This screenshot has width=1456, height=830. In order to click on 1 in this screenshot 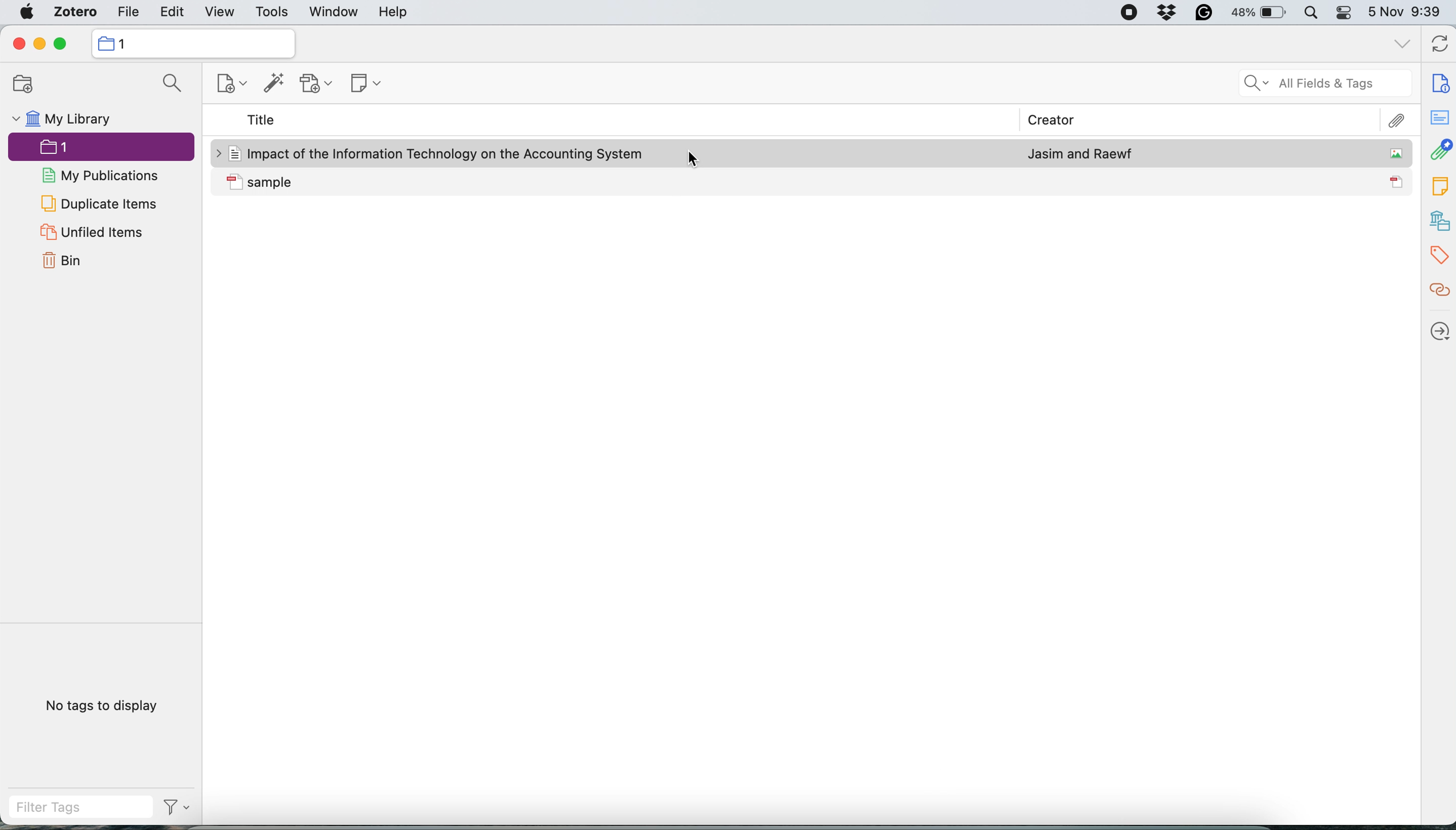, I will do `click(104, 148)`.